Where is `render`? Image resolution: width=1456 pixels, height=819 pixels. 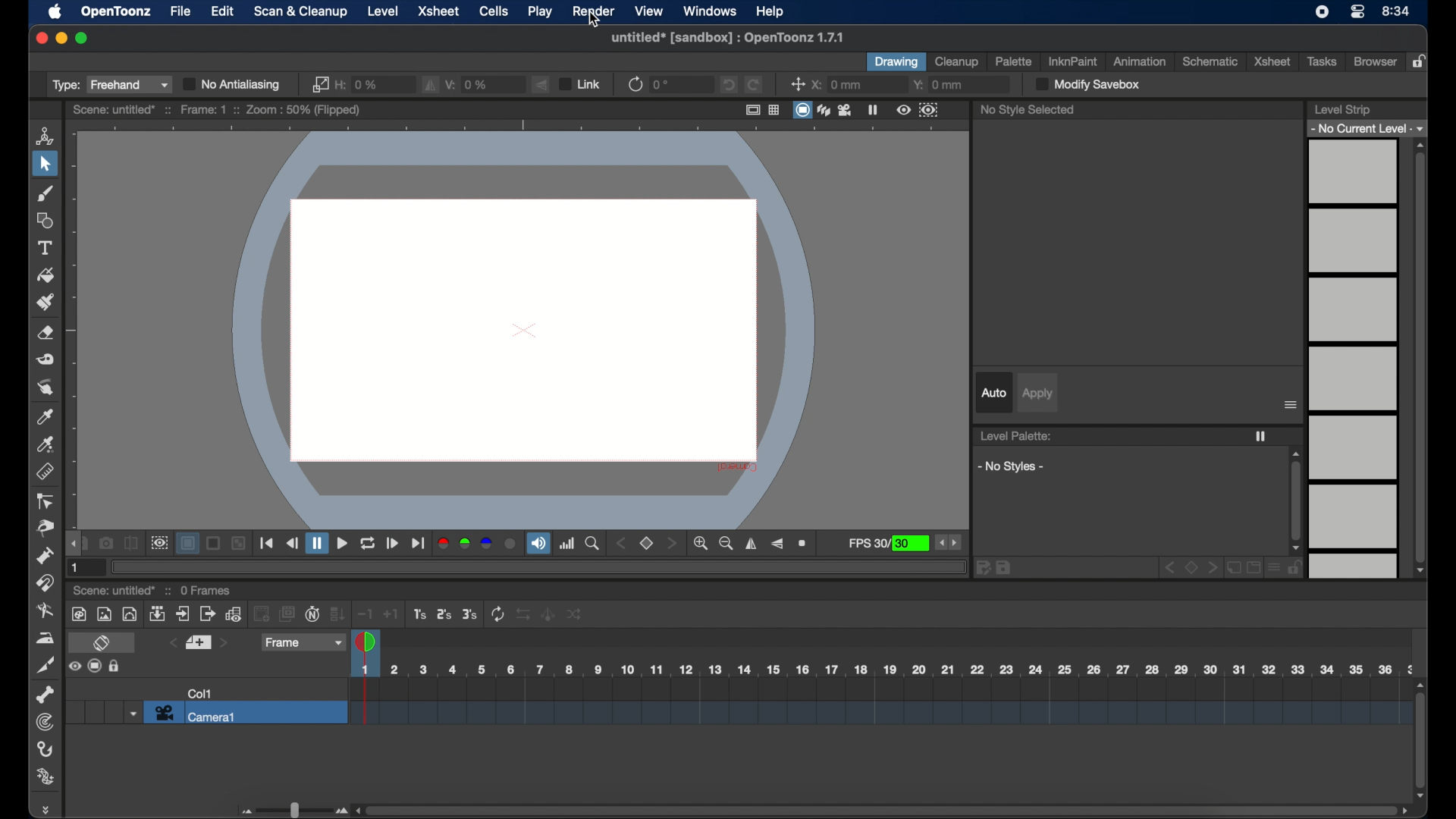 render is located at coordinates (592, 11).